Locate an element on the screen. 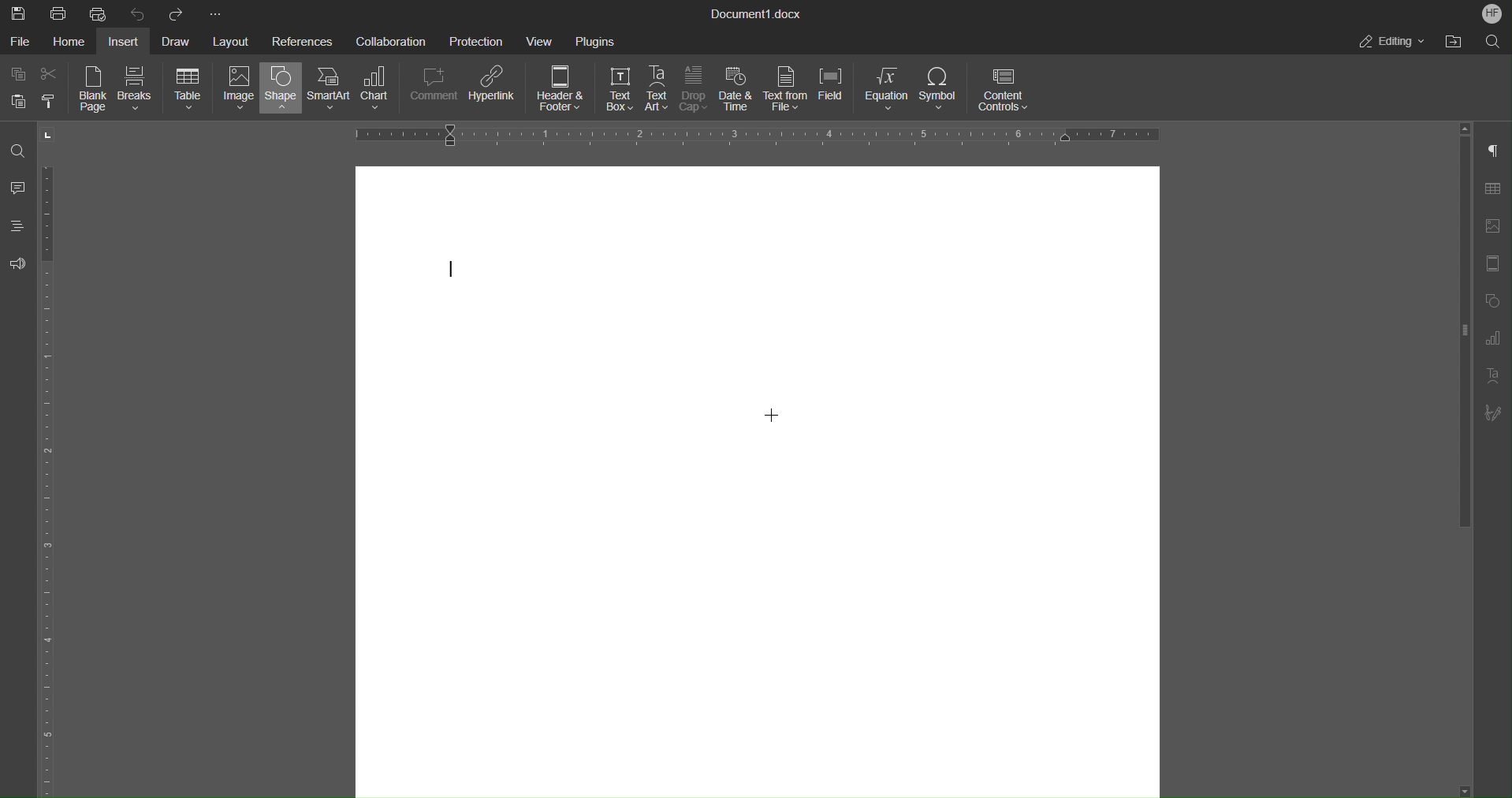  Table is located at coordinates (188, 90).